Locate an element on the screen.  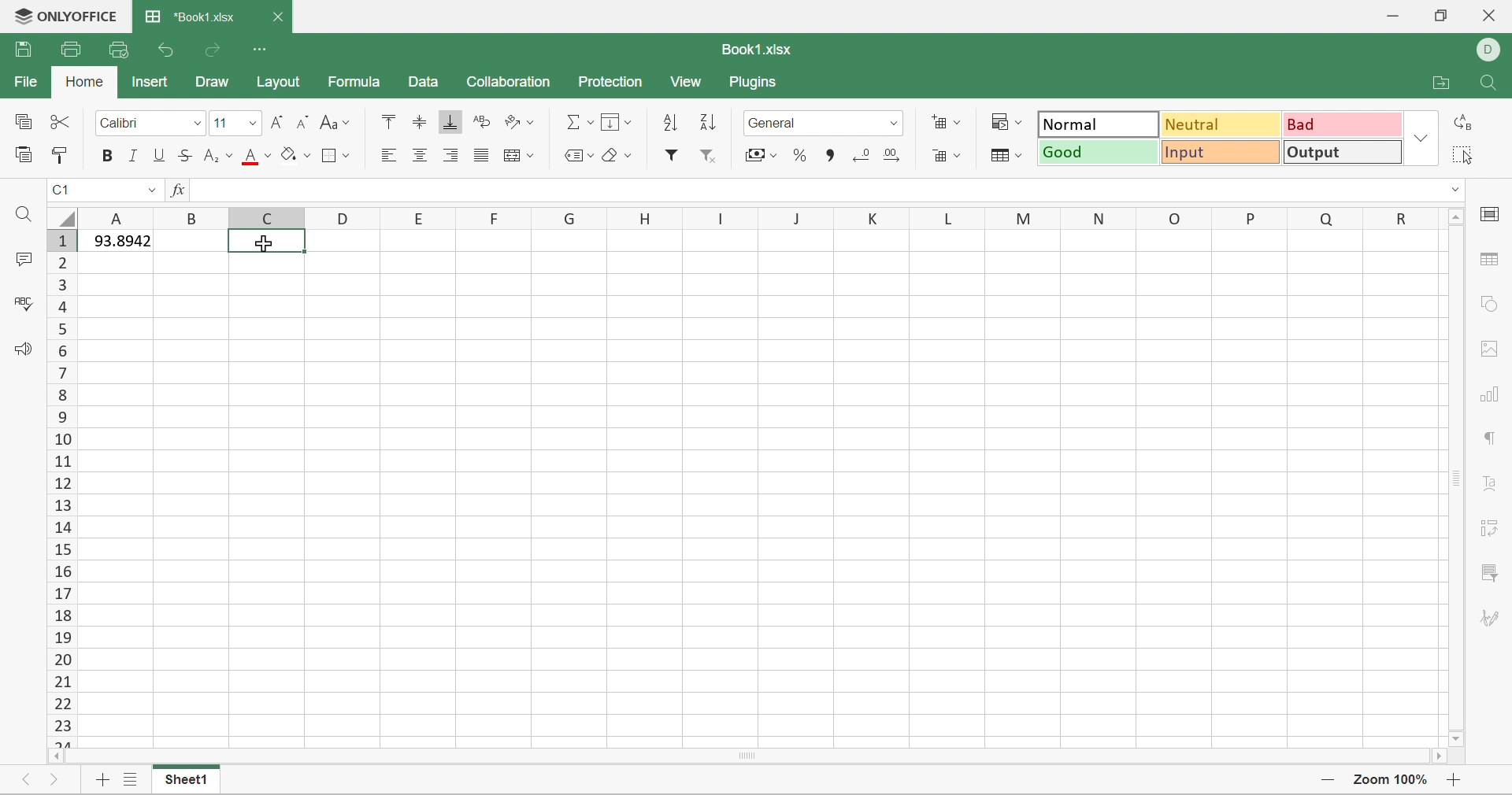
Text Art settings is located at coordinates (1492, 486).